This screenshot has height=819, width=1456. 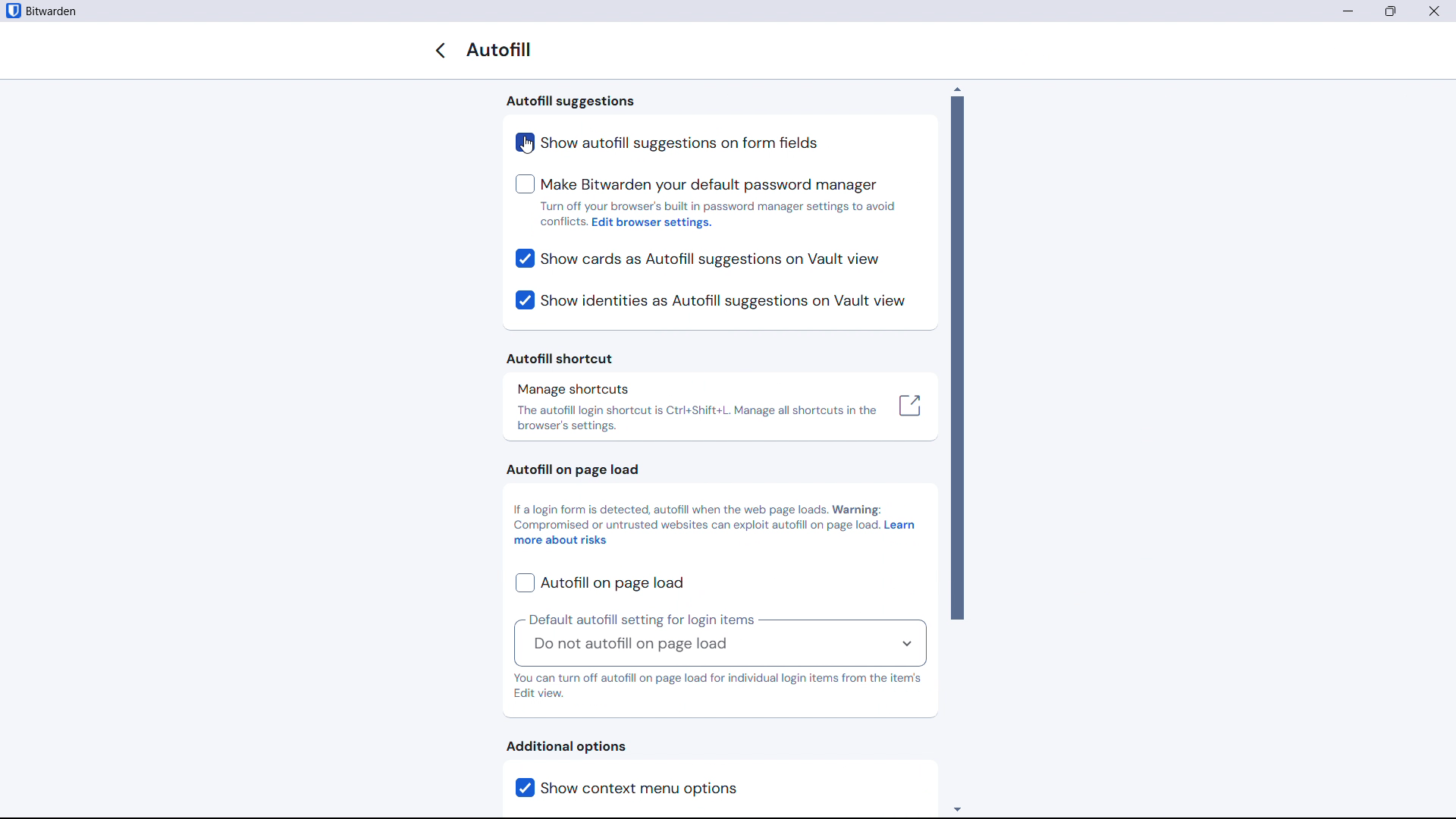 I want to click on Manage shortcuts  The auto fill login shortcut is ctrl+shift+L.  manage all shortcuts in the browser's settings, so click(x=720, y=408).